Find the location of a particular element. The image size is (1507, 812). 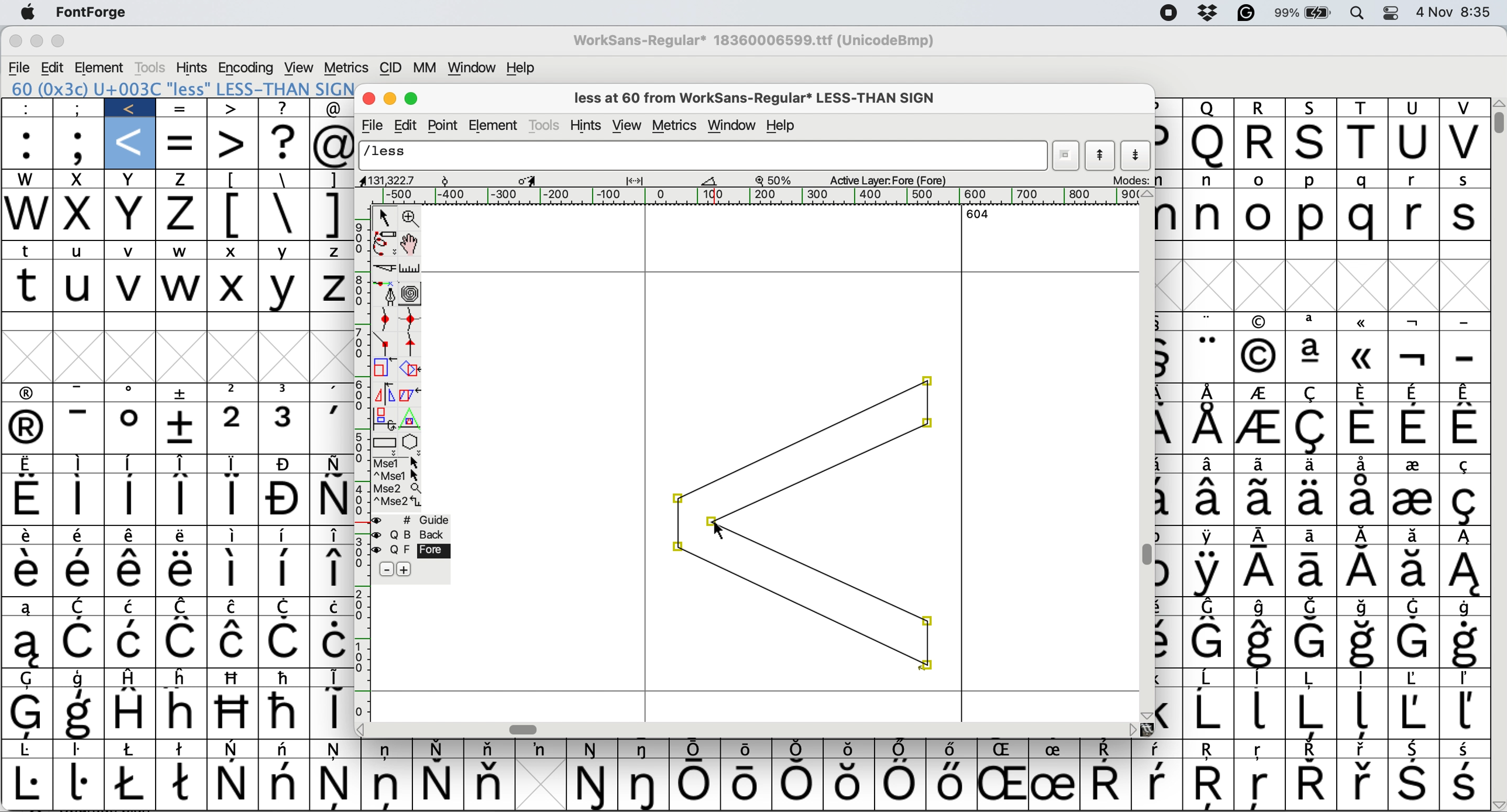

Symbol is located at coordinates (29, 465).